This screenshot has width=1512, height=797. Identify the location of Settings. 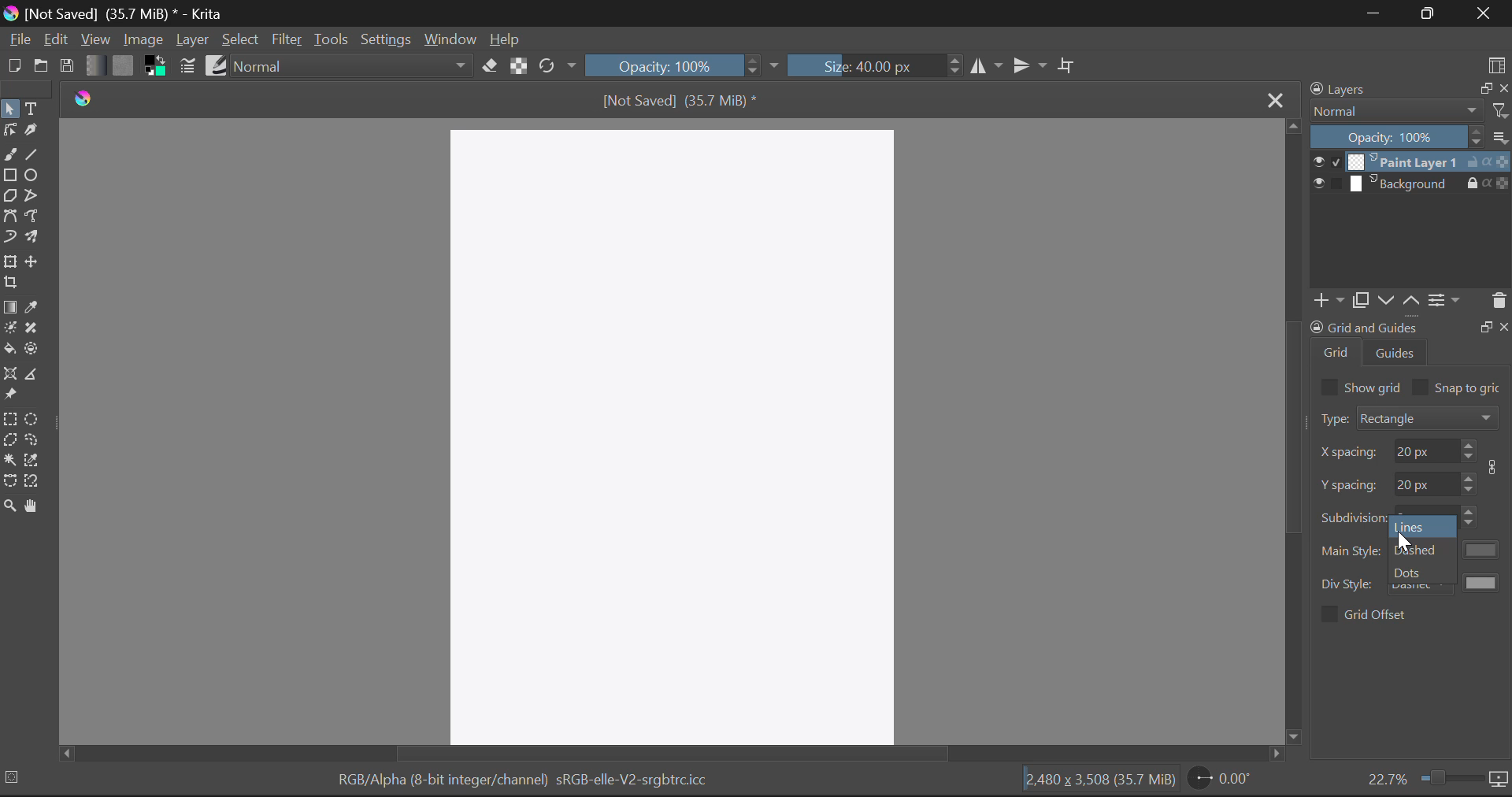
(386, 40).